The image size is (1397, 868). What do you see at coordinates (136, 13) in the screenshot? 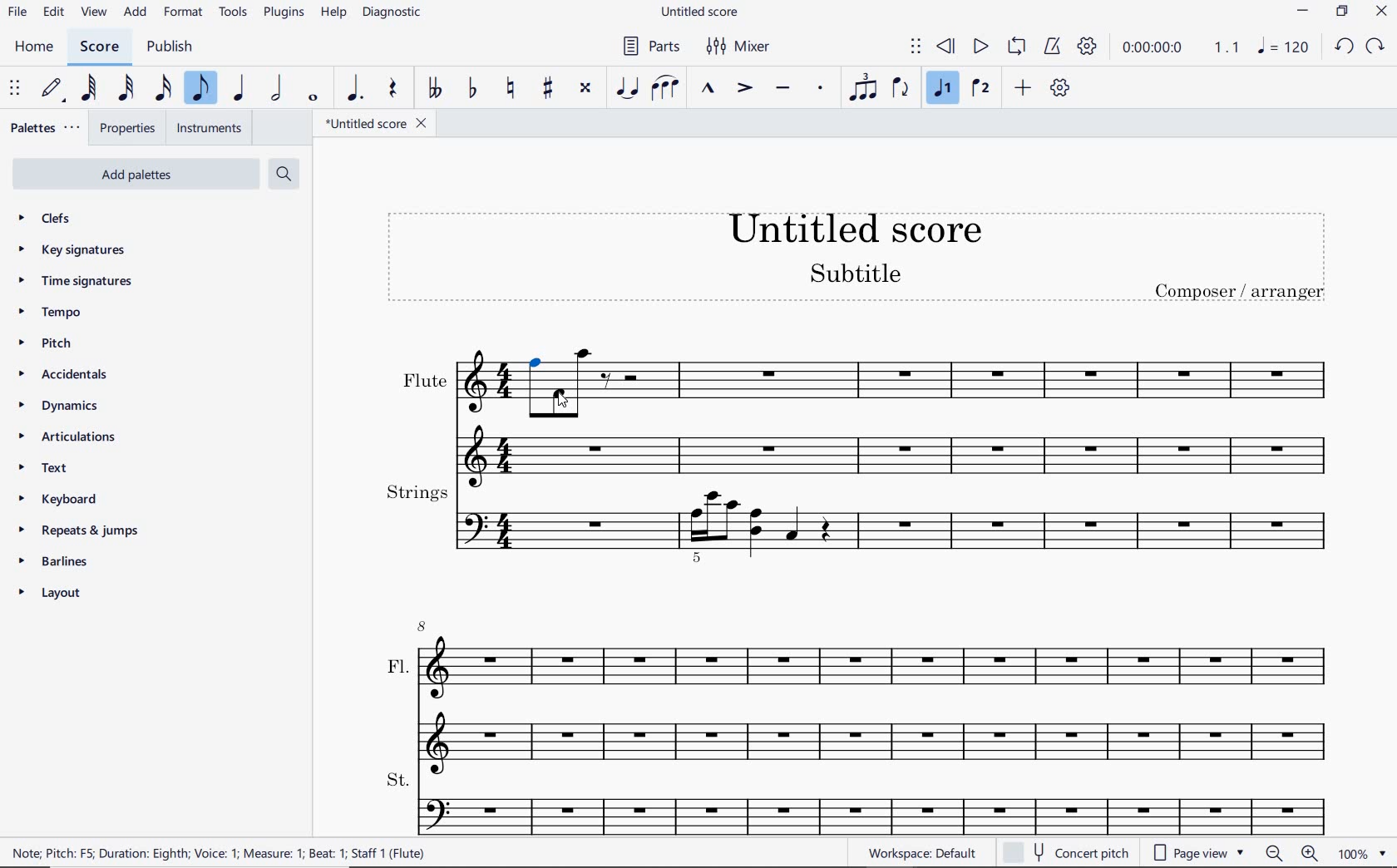
I see `add` at bounding box center [136, 13].